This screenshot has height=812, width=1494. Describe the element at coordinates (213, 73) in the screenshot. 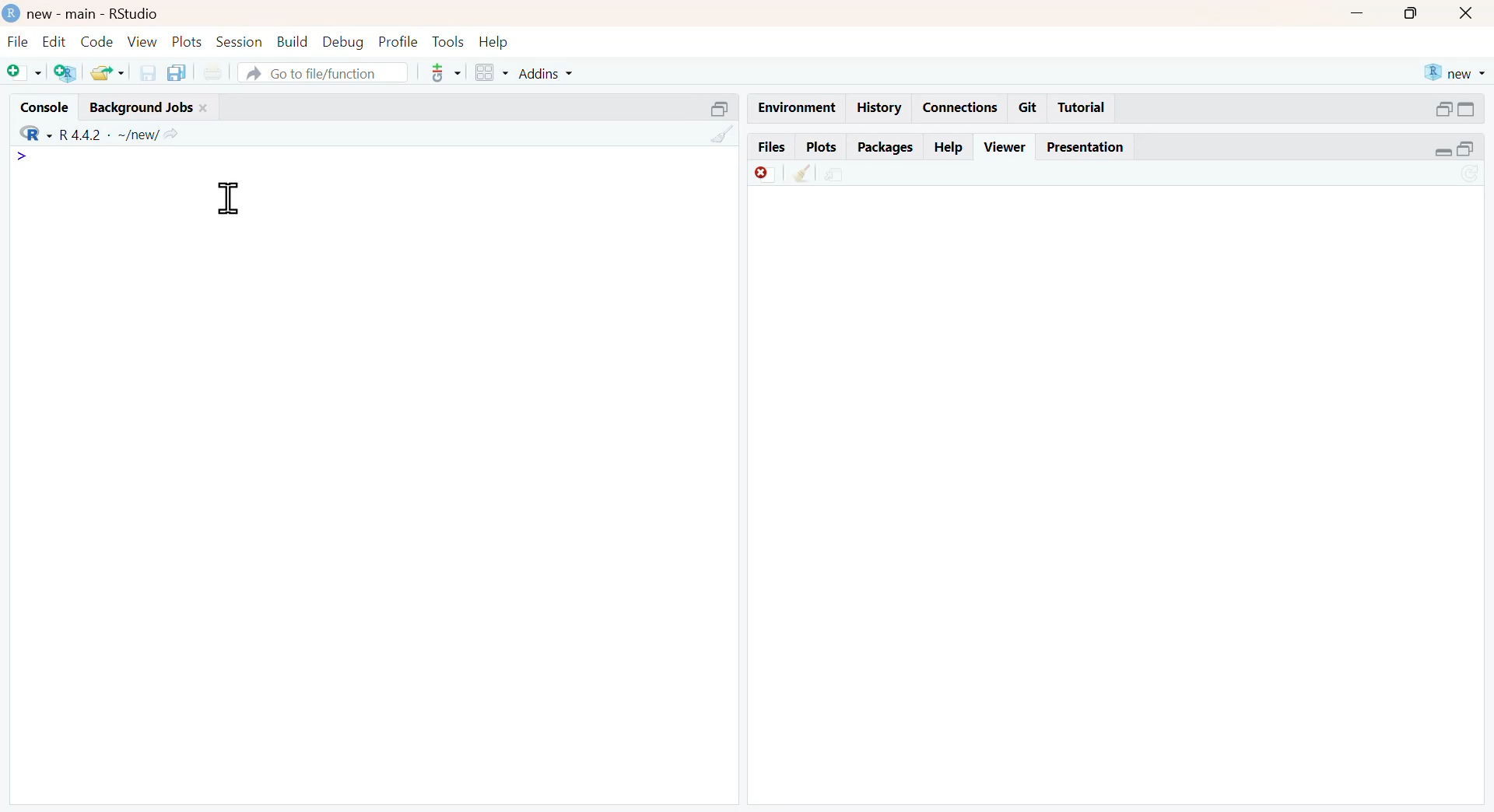

I see `print` at that location.